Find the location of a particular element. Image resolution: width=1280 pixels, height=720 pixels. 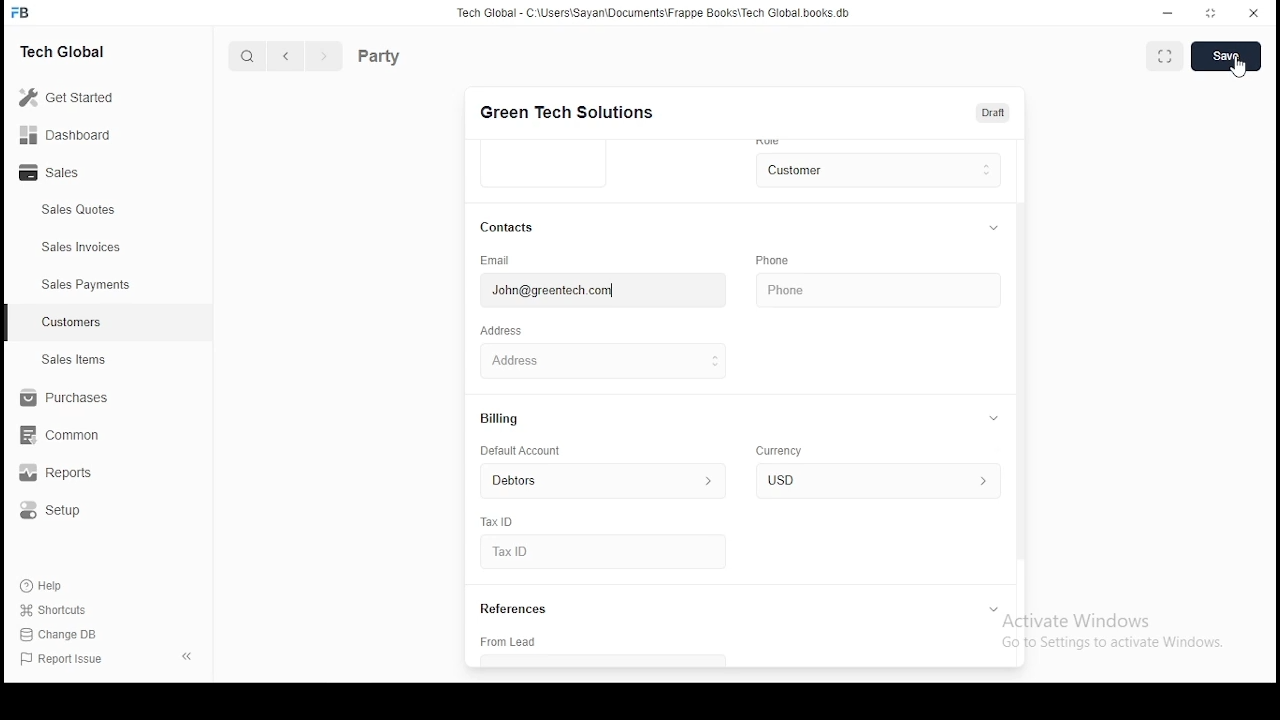

address is located at coordinates (568, 359).